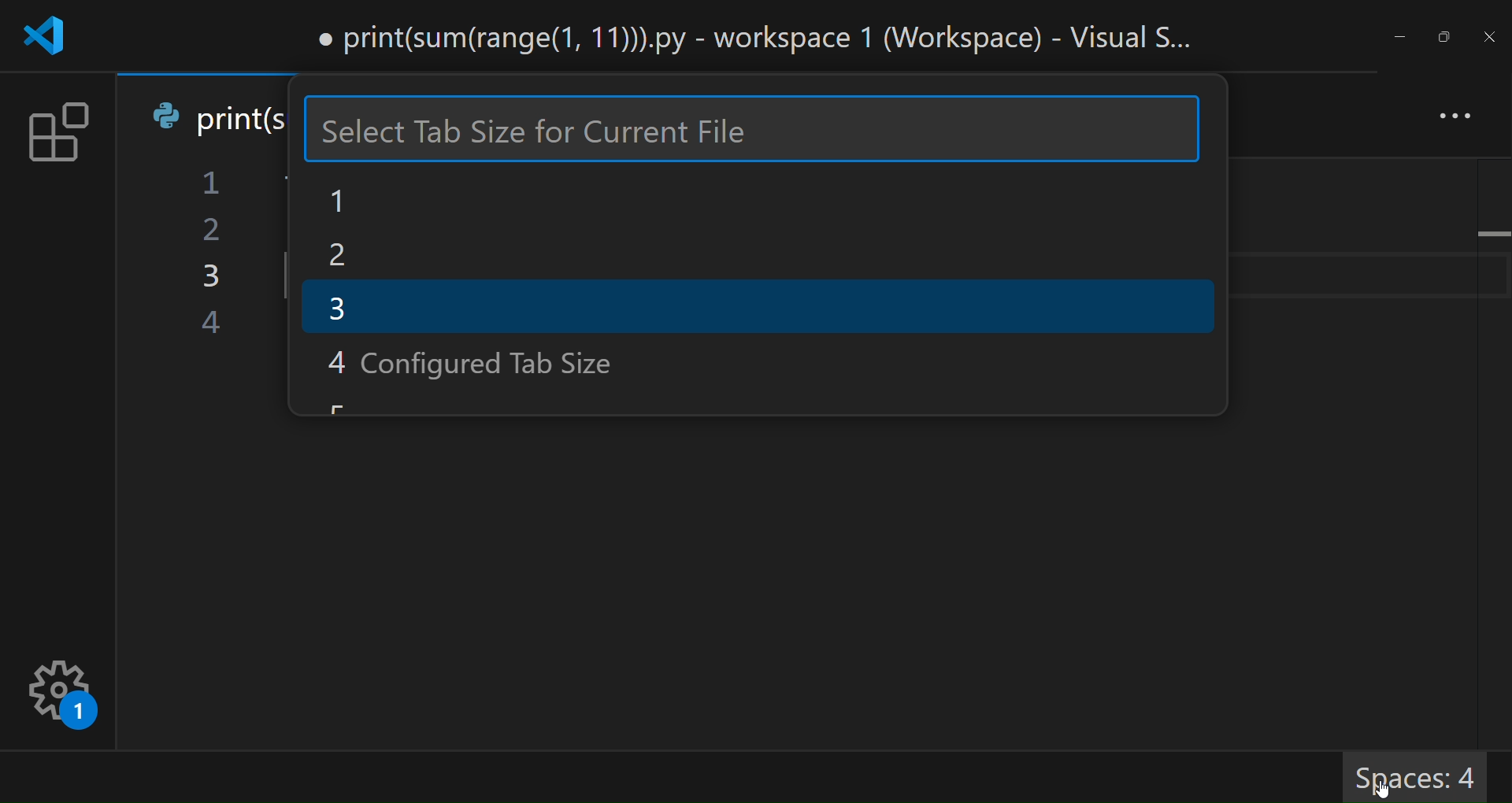  I want to click on logo, so click(42, 39).